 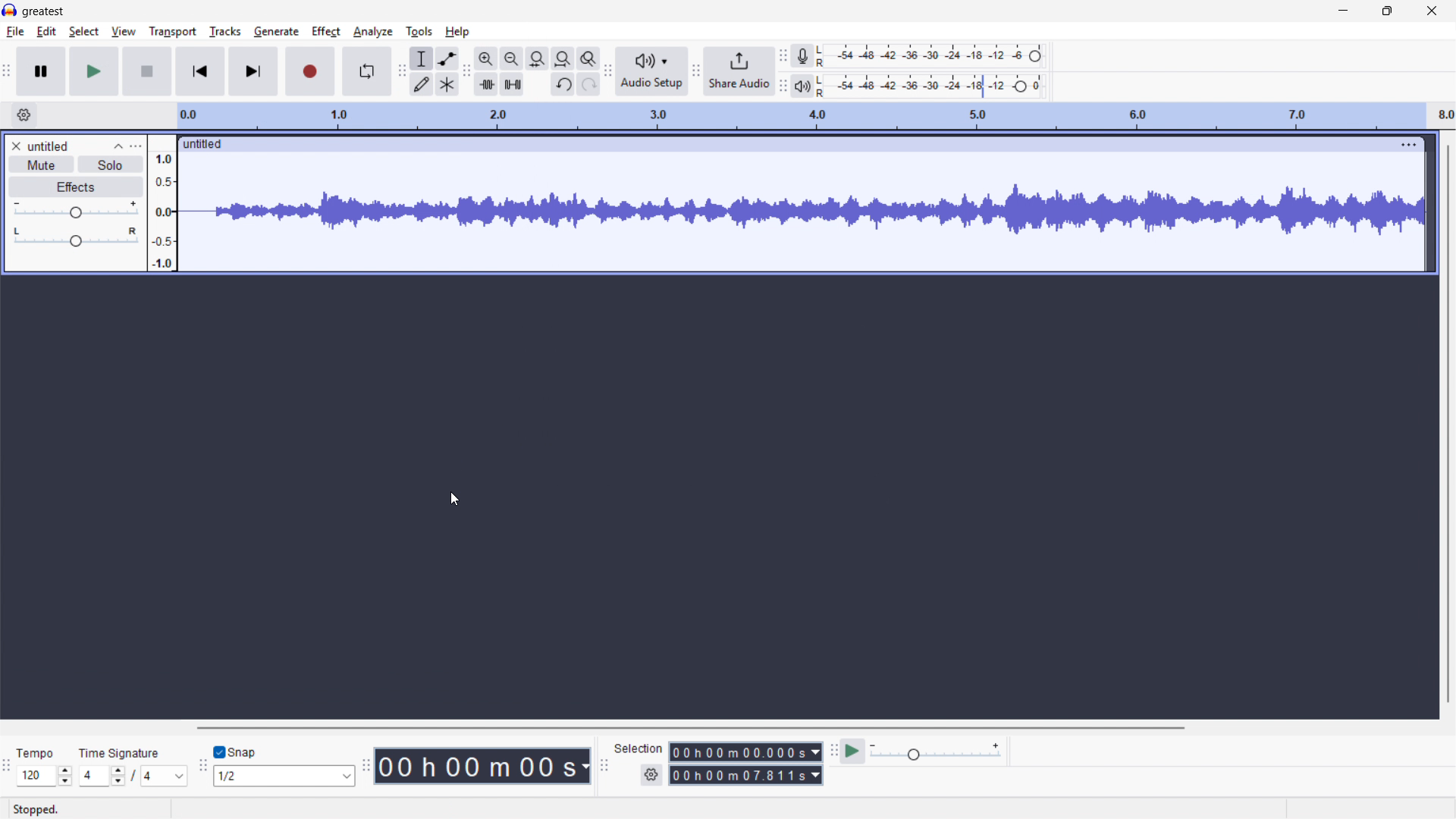 I want to click on playback meter toolbar, so click(x=783, y=87).